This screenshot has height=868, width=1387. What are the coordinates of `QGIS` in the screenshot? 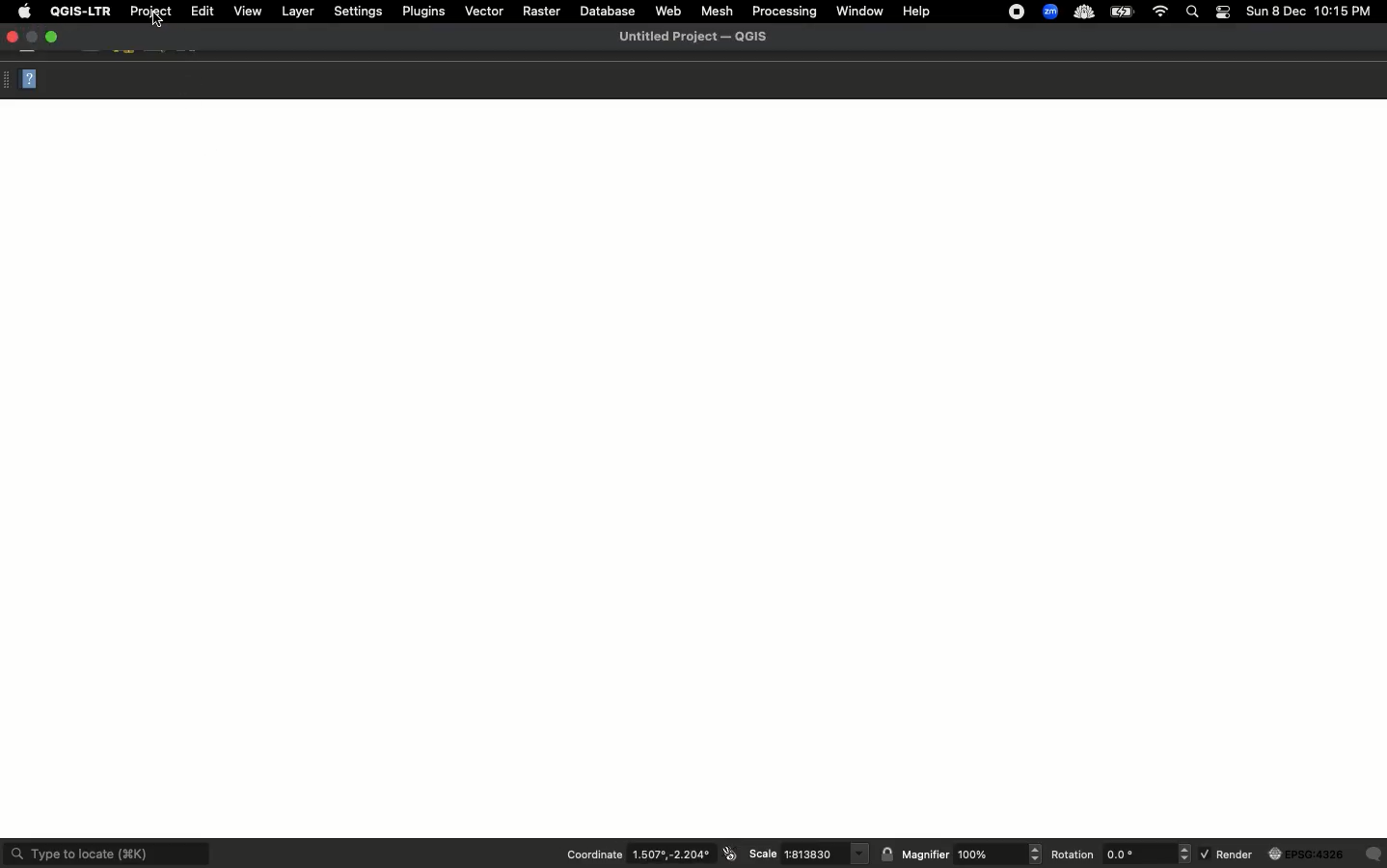 It's located at (80, 10).